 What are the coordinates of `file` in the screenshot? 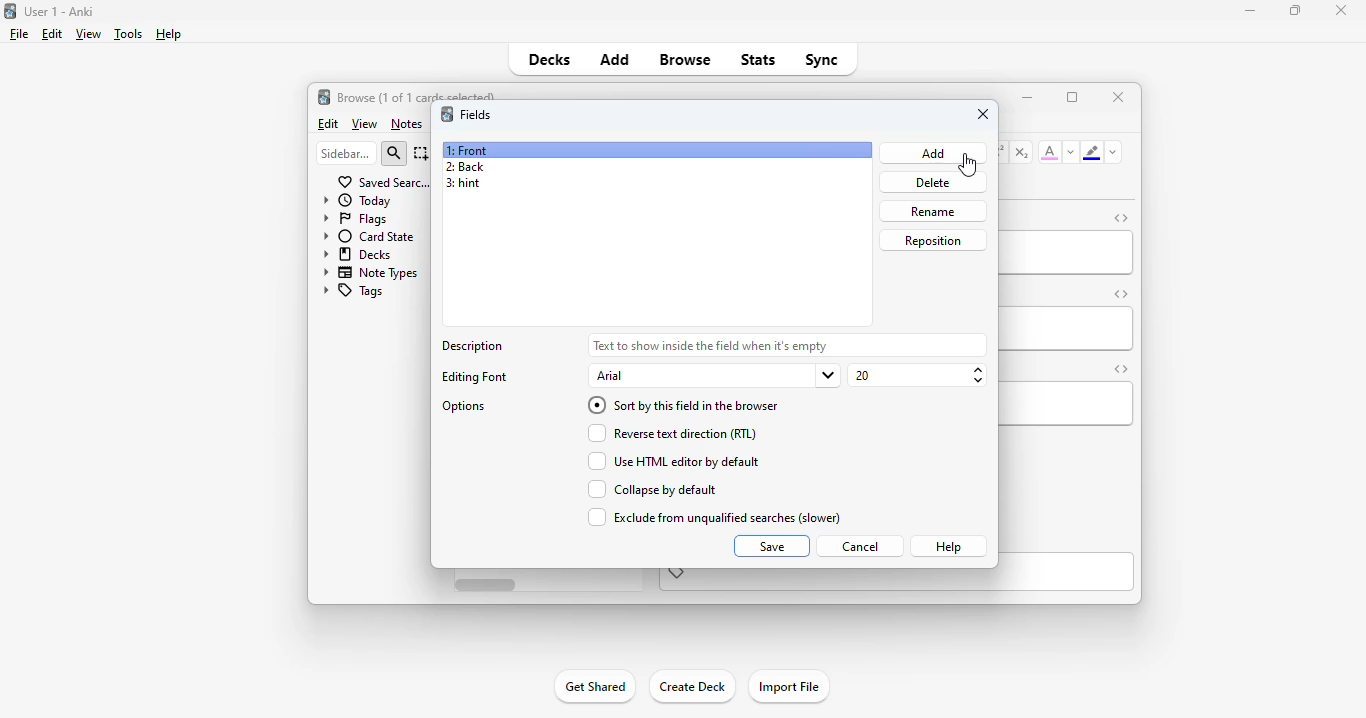 It's located at (19, 34).